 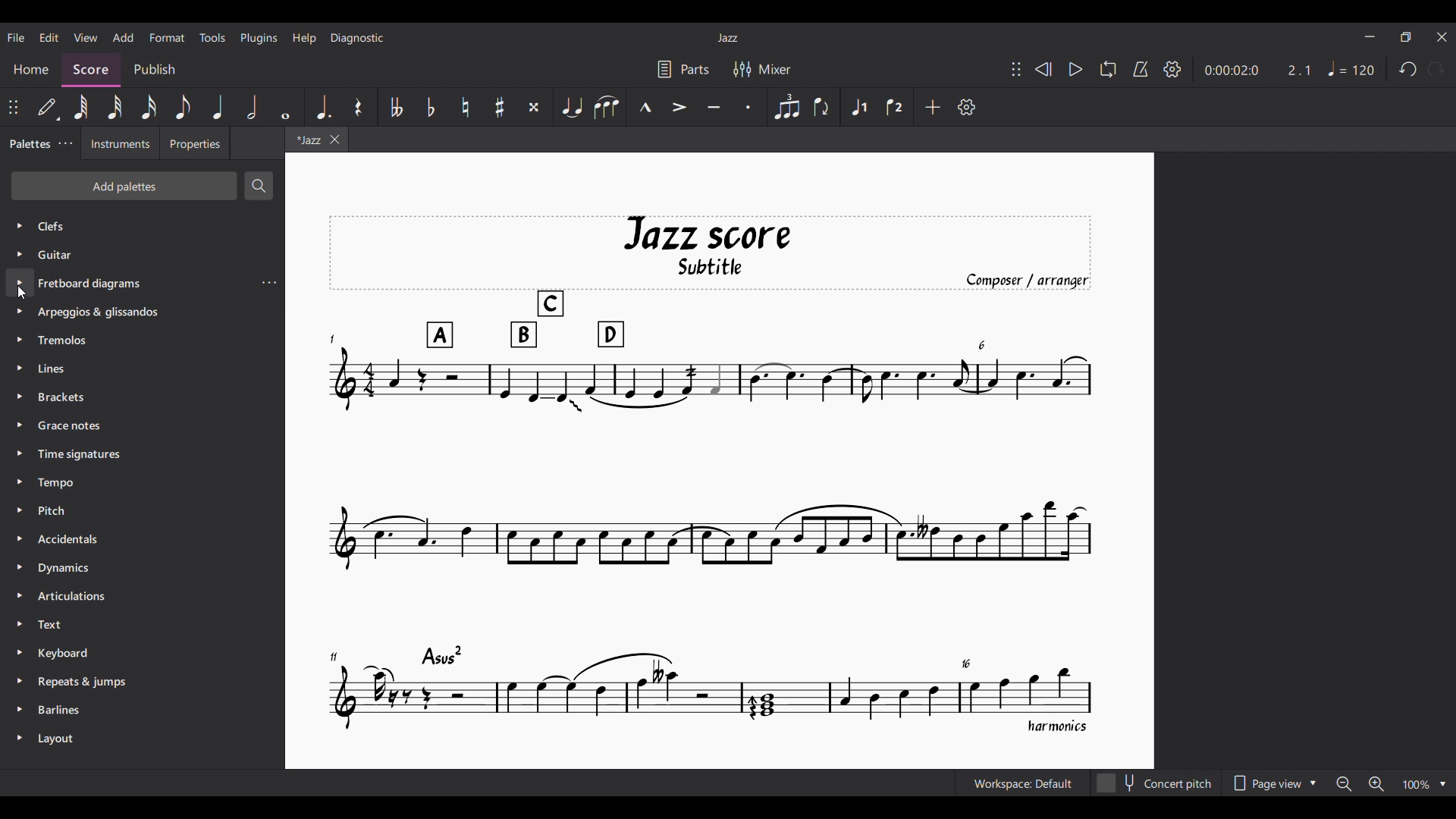 I want to click on Guitar, so click(x=60, y=257).